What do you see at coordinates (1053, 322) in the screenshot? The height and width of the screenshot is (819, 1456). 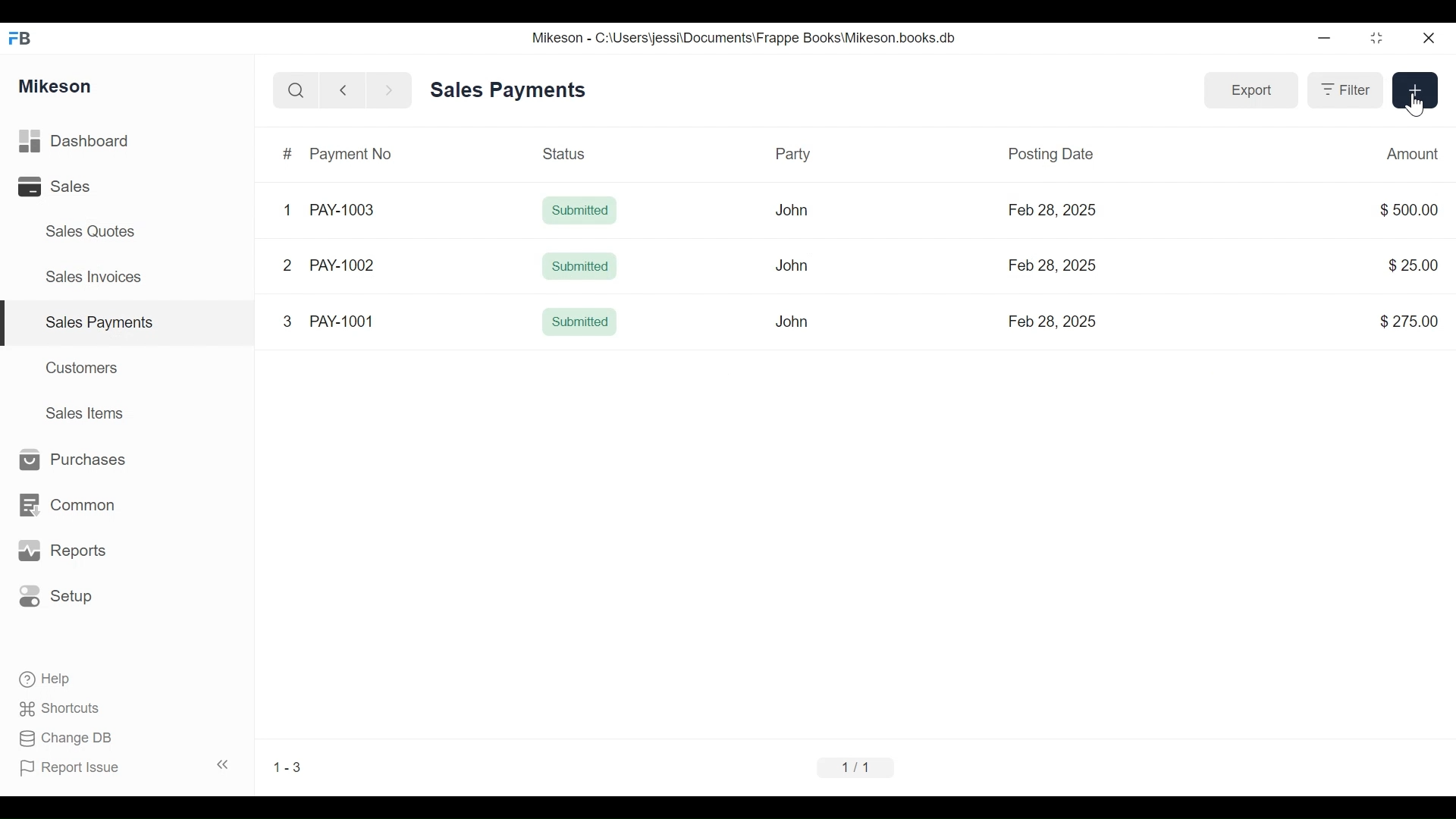 I see `Feb 28, 2025` at bounding box center [1053, 322].